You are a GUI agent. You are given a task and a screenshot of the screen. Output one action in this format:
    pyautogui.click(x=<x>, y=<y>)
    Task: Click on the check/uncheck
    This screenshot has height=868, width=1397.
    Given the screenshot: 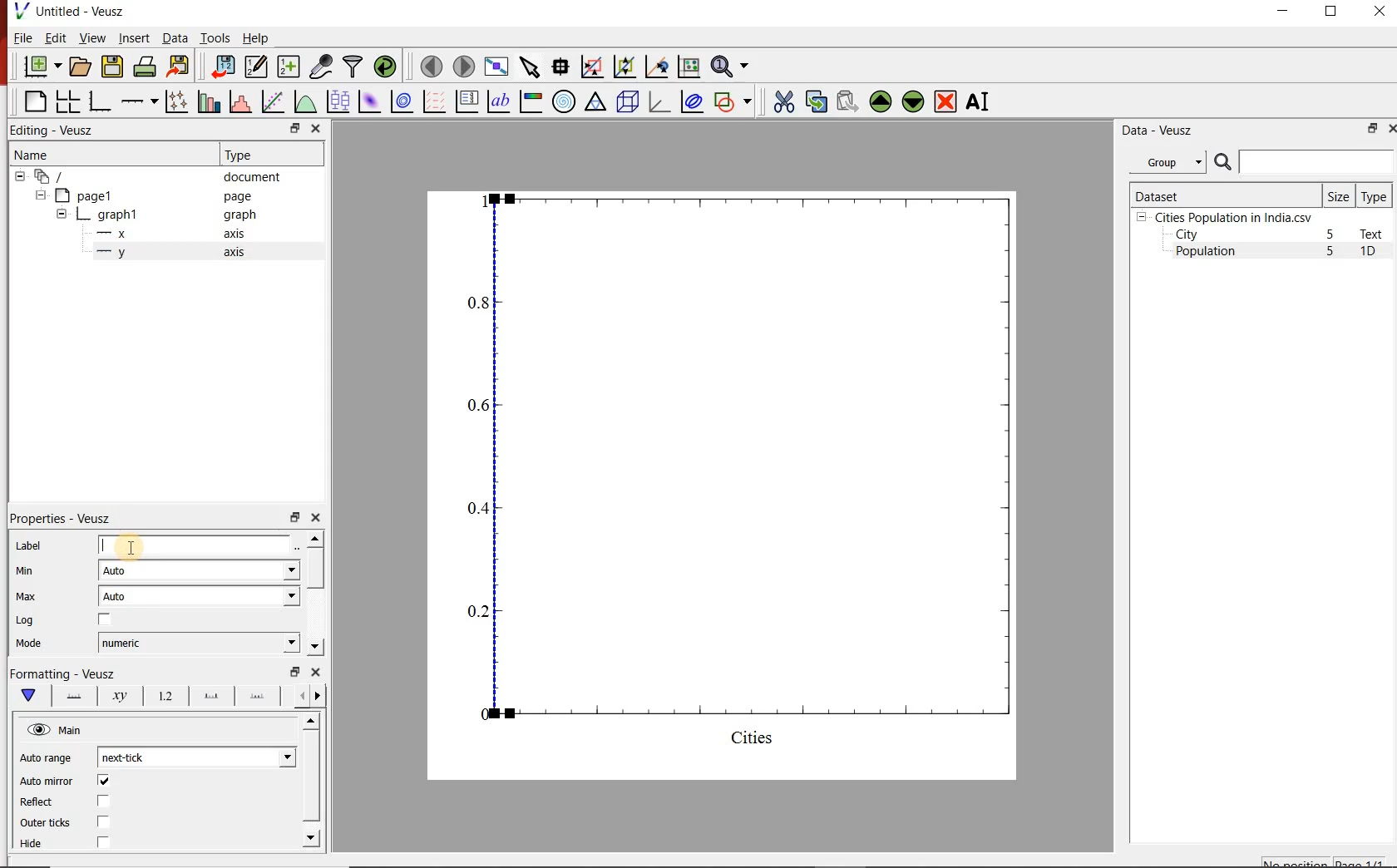 What is the action you would take?
    pyautogui.click(x=103, y=781)
    